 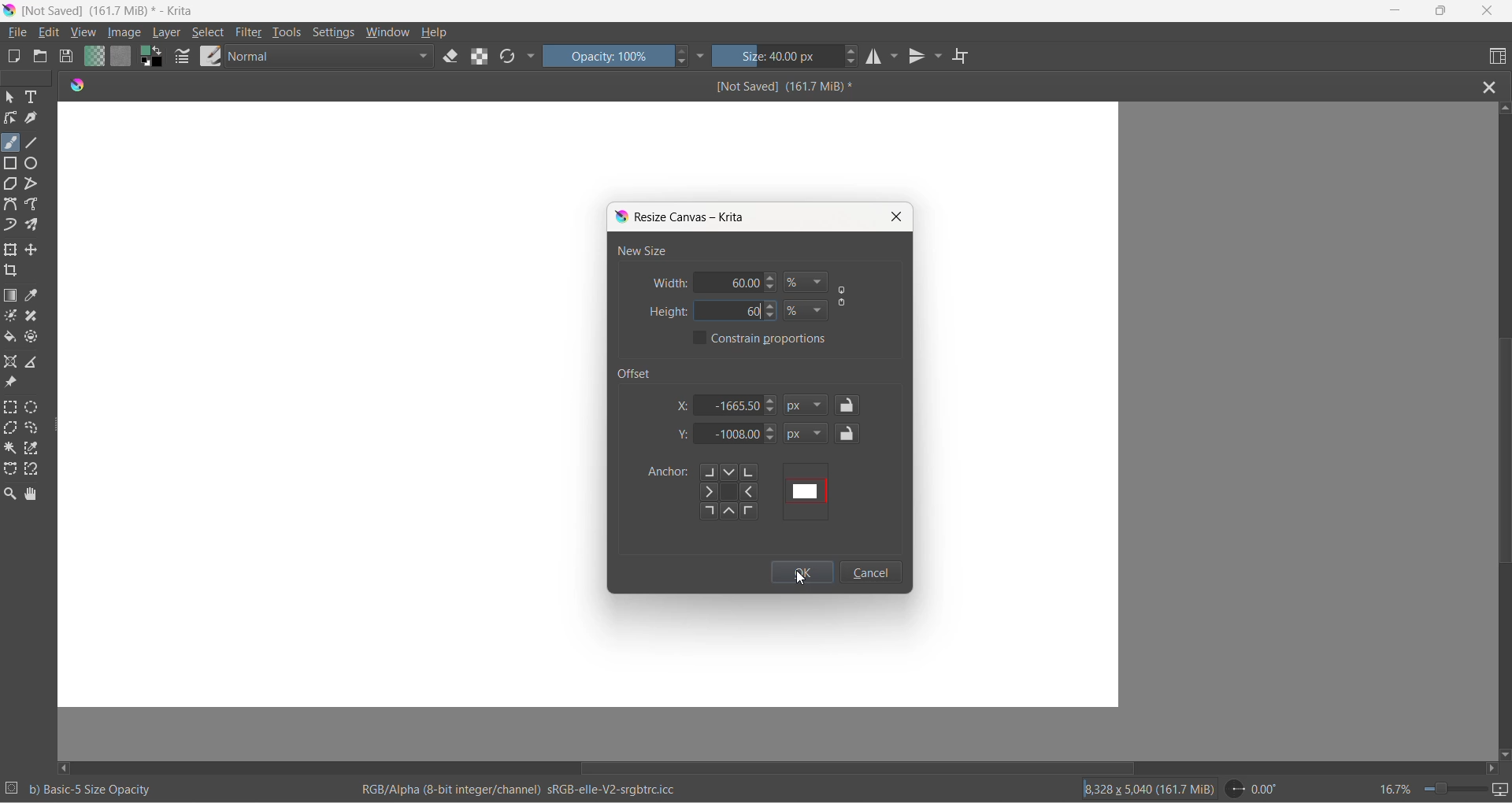 I want to click on offset, so click(x=640, y=372).